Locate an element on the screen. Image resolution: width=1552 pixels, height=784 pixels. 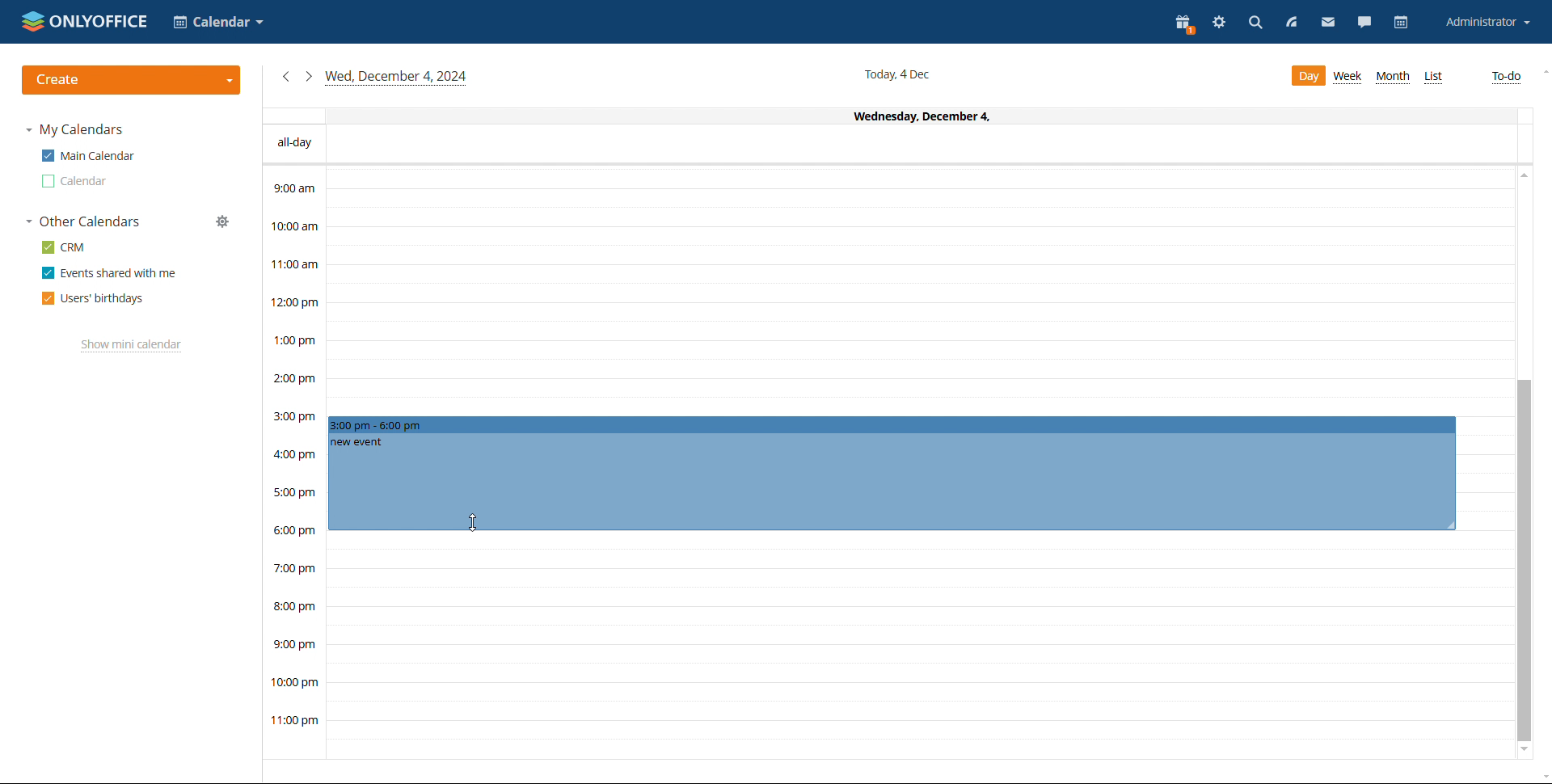
select application is located at coordinates (217, 22).